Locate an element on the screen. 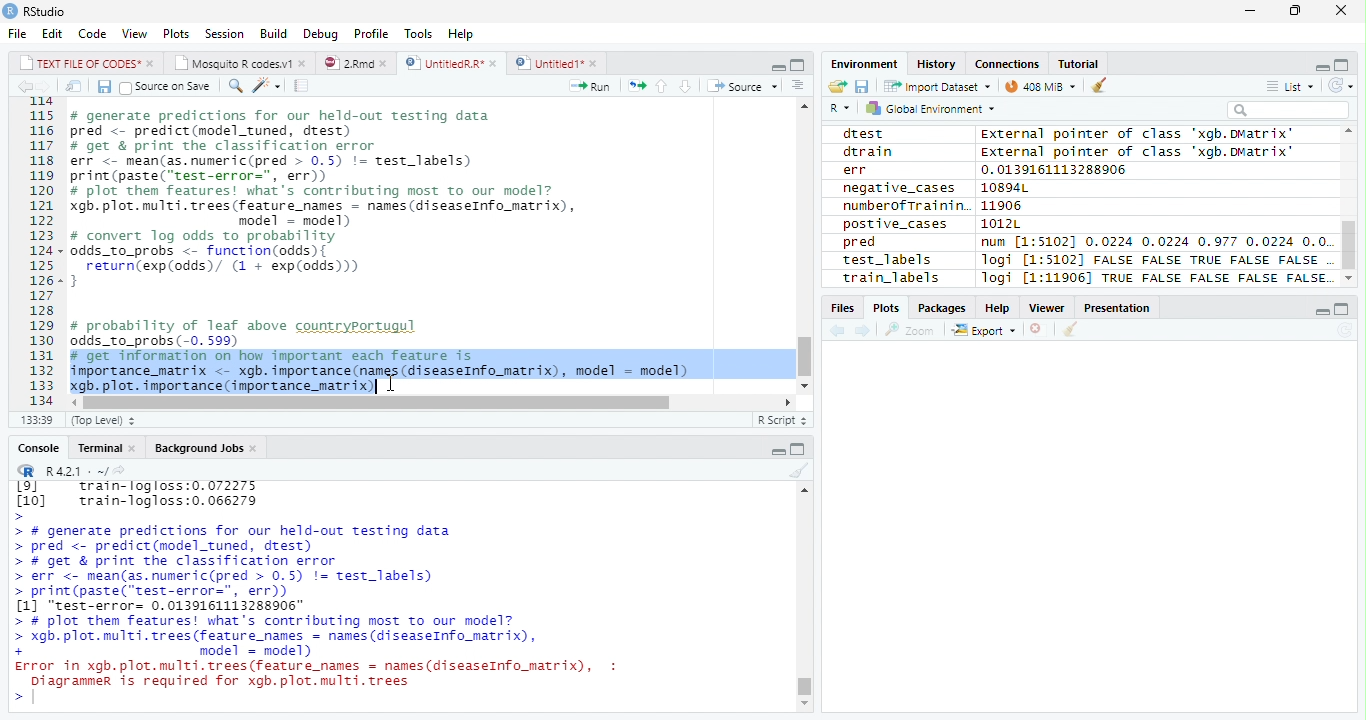  pred is located at coordinates (859, 243).